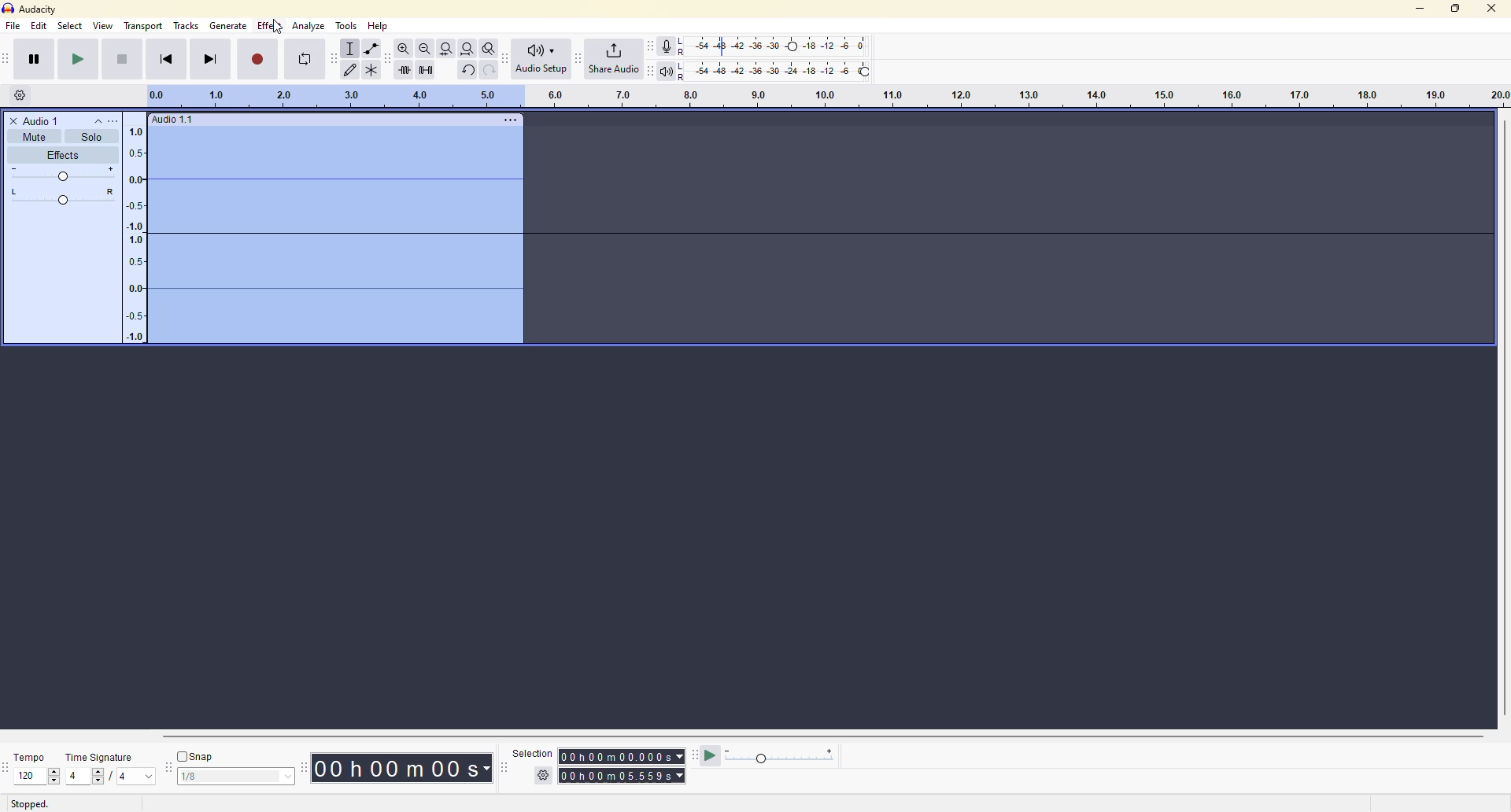 This screenshot has height=812, width=1511. I want to click on zoom toggle, so click(490, 48).